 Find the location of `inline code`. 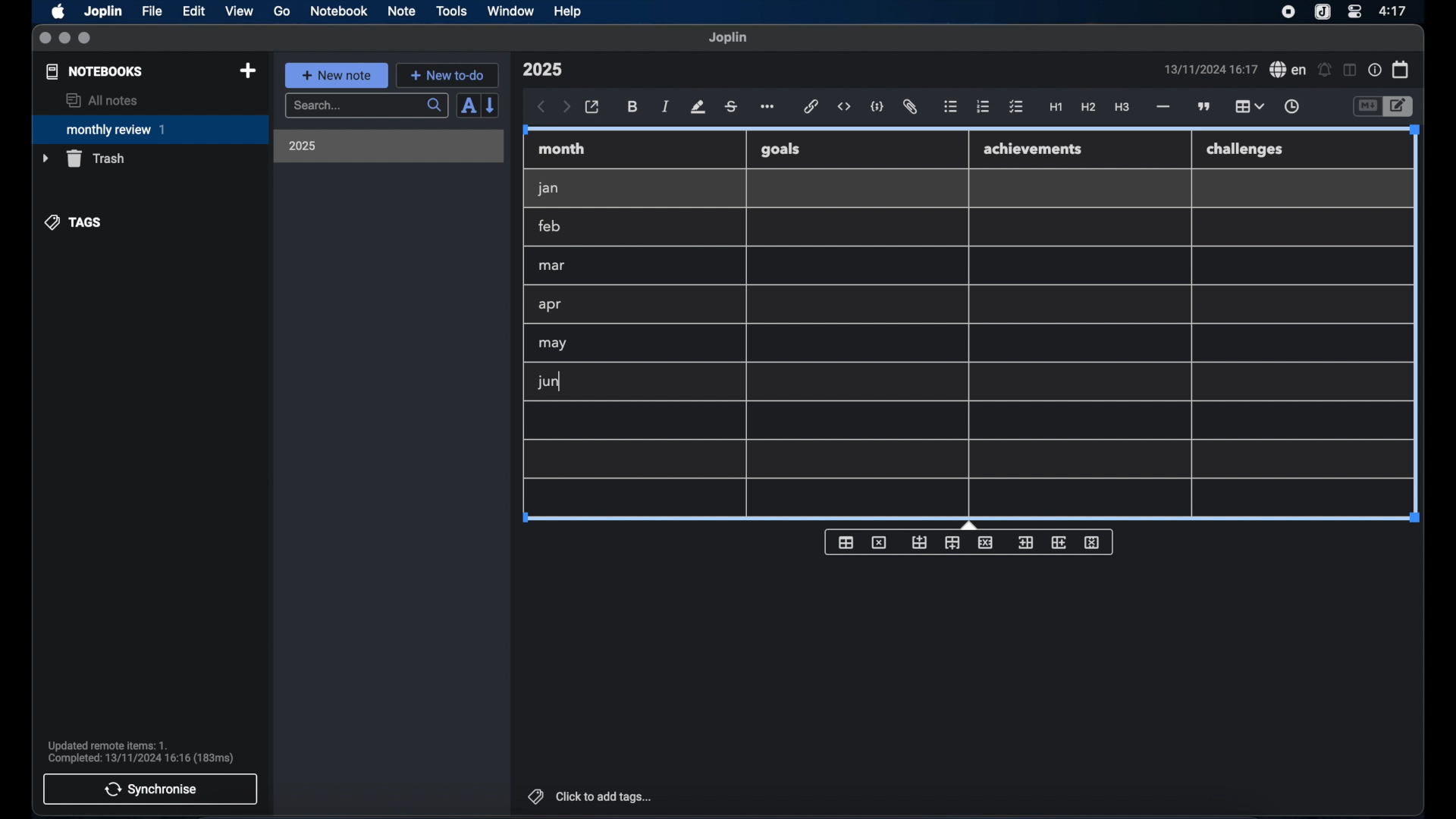

inline code is located at coordinates (844, 107).